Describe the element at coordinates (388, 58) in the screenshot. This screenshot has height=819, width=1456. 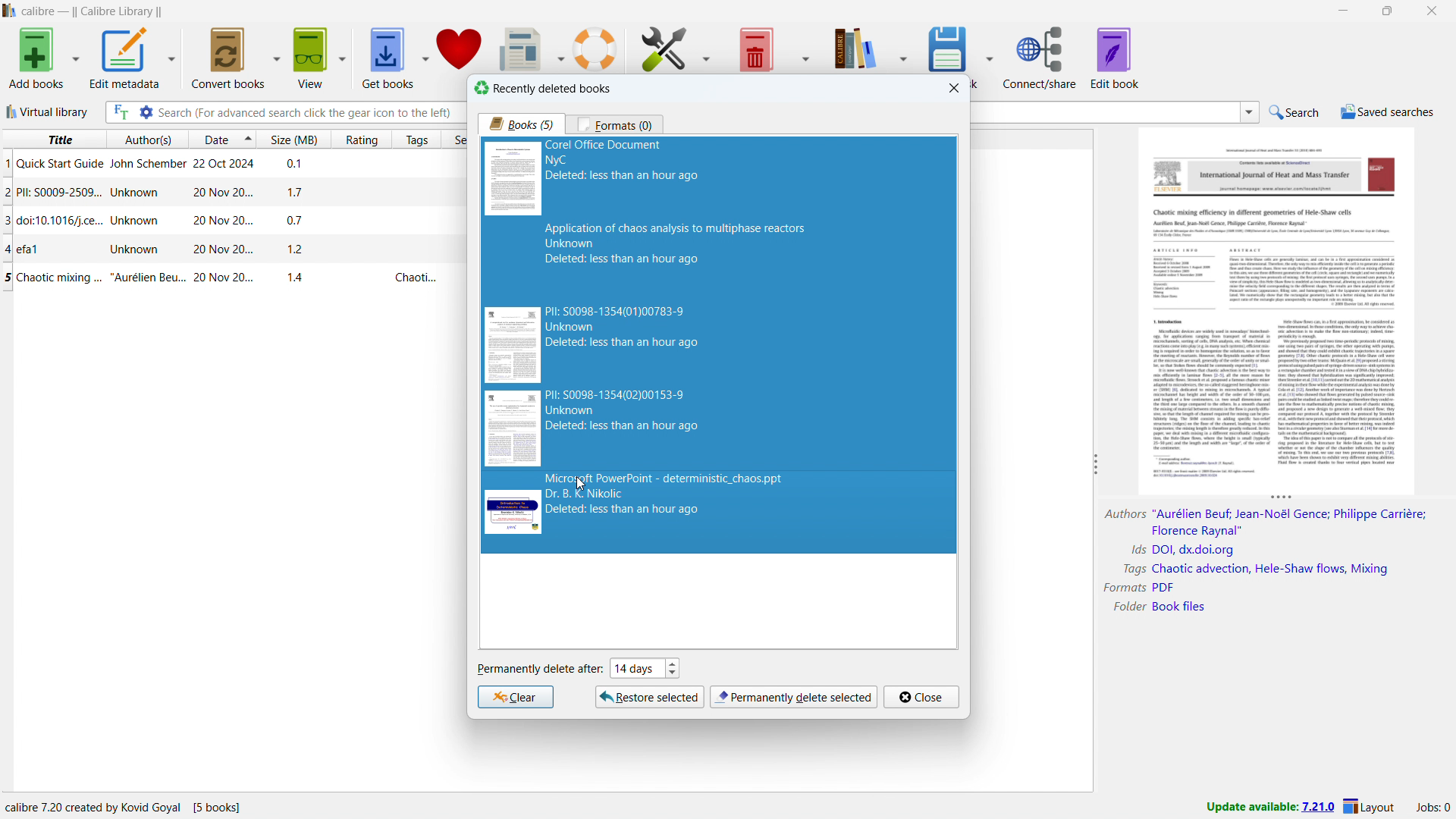
I see `get books` at that location.